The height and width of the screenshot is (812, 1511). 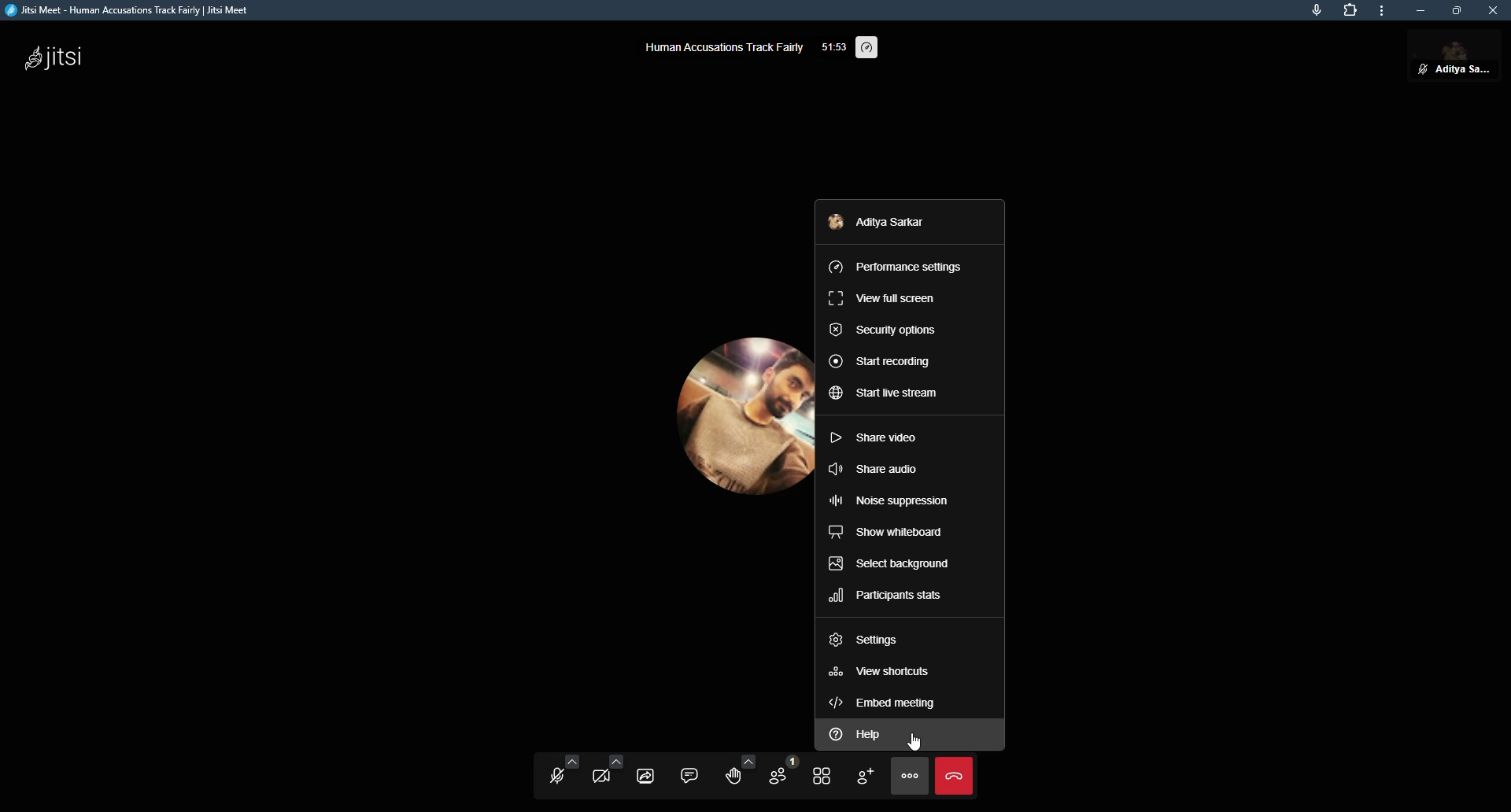 I want to click on share screen, so click(x=644, y=776).